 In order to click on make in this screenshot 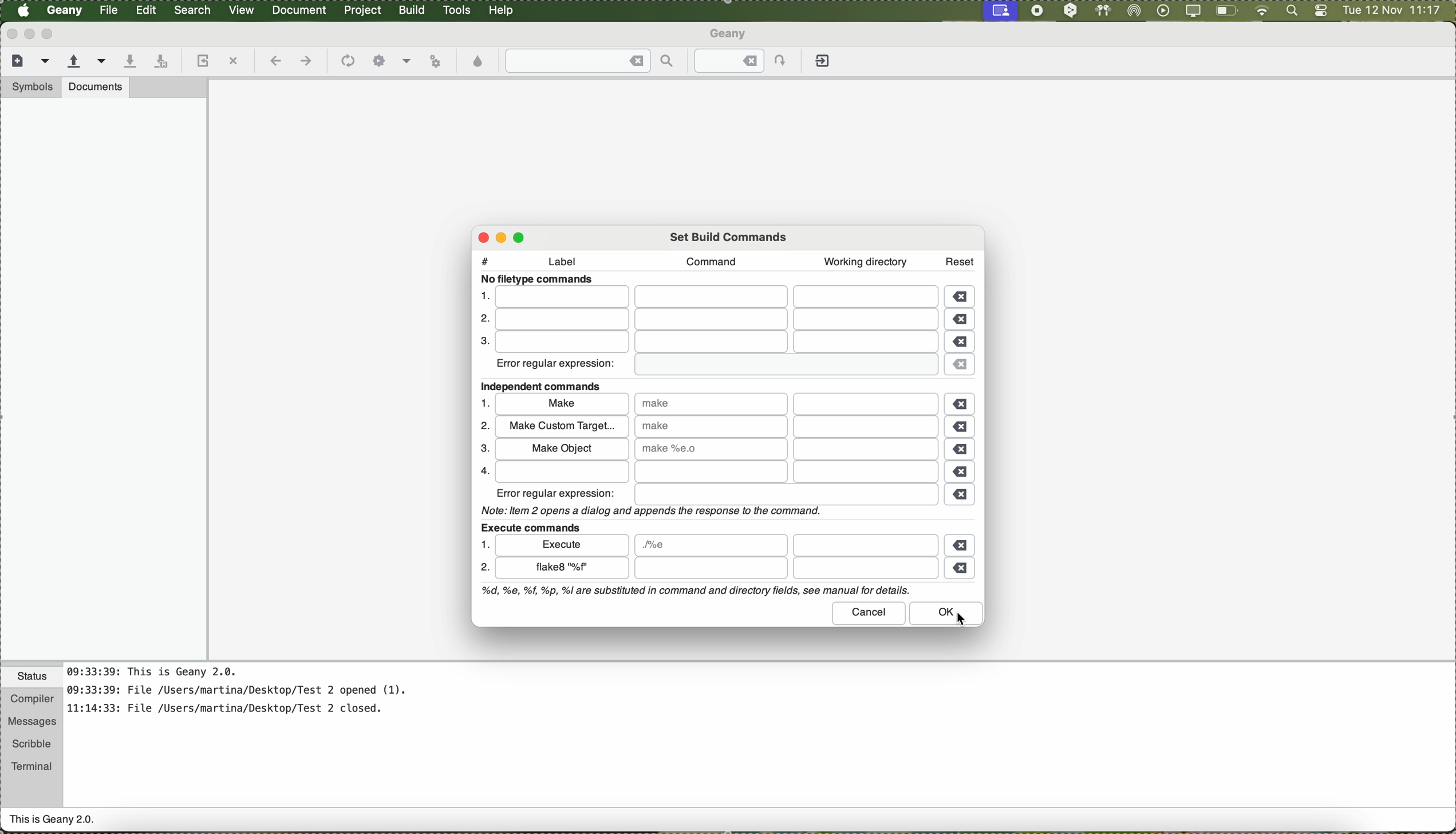, I will do `click(711, 426)`.